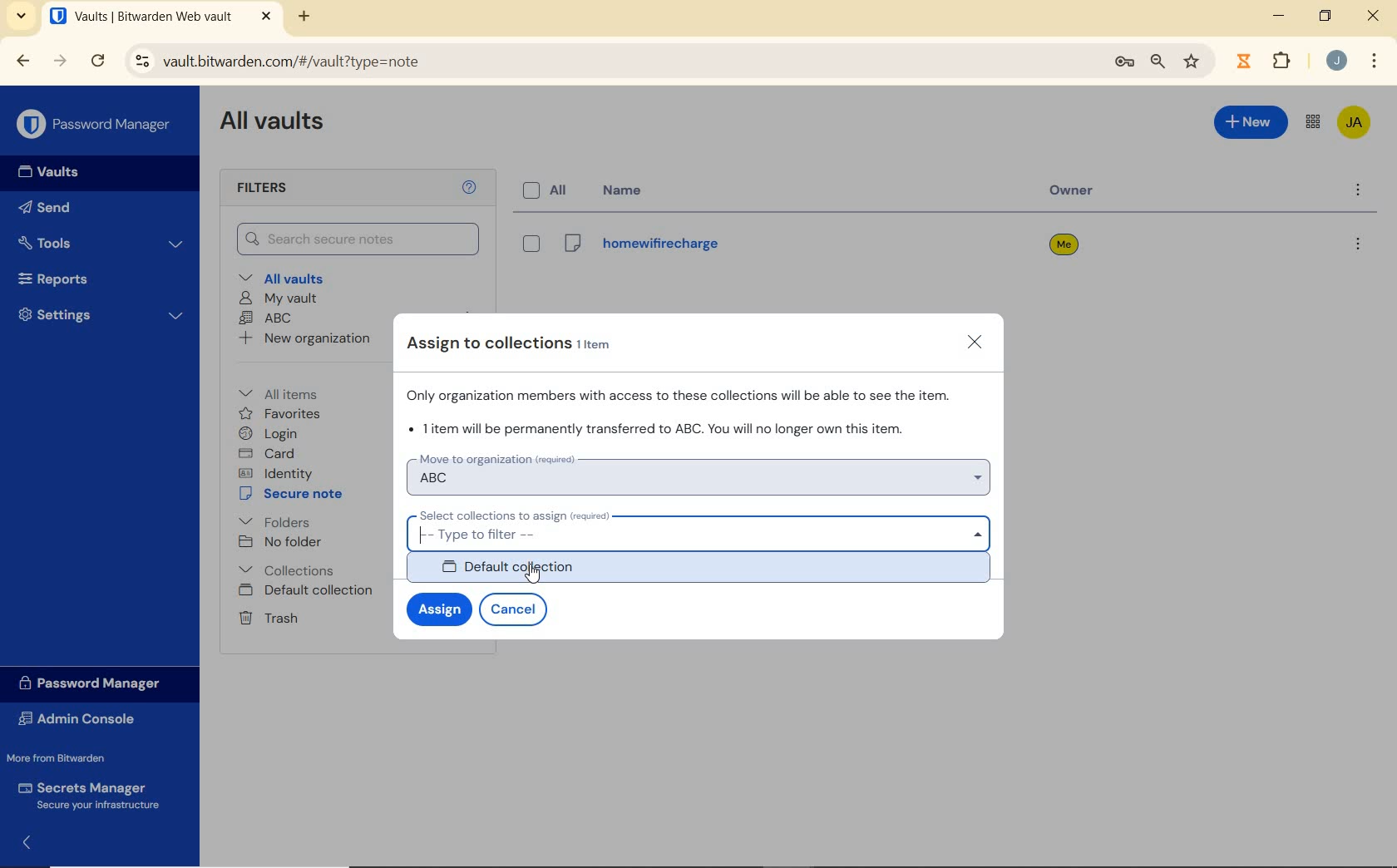 Image resolution: width=1397 pixels, height=868 pixels. Describe the element at coordinates (1375, 60) in the screenshot. I see `customize Google chrome` at that location.